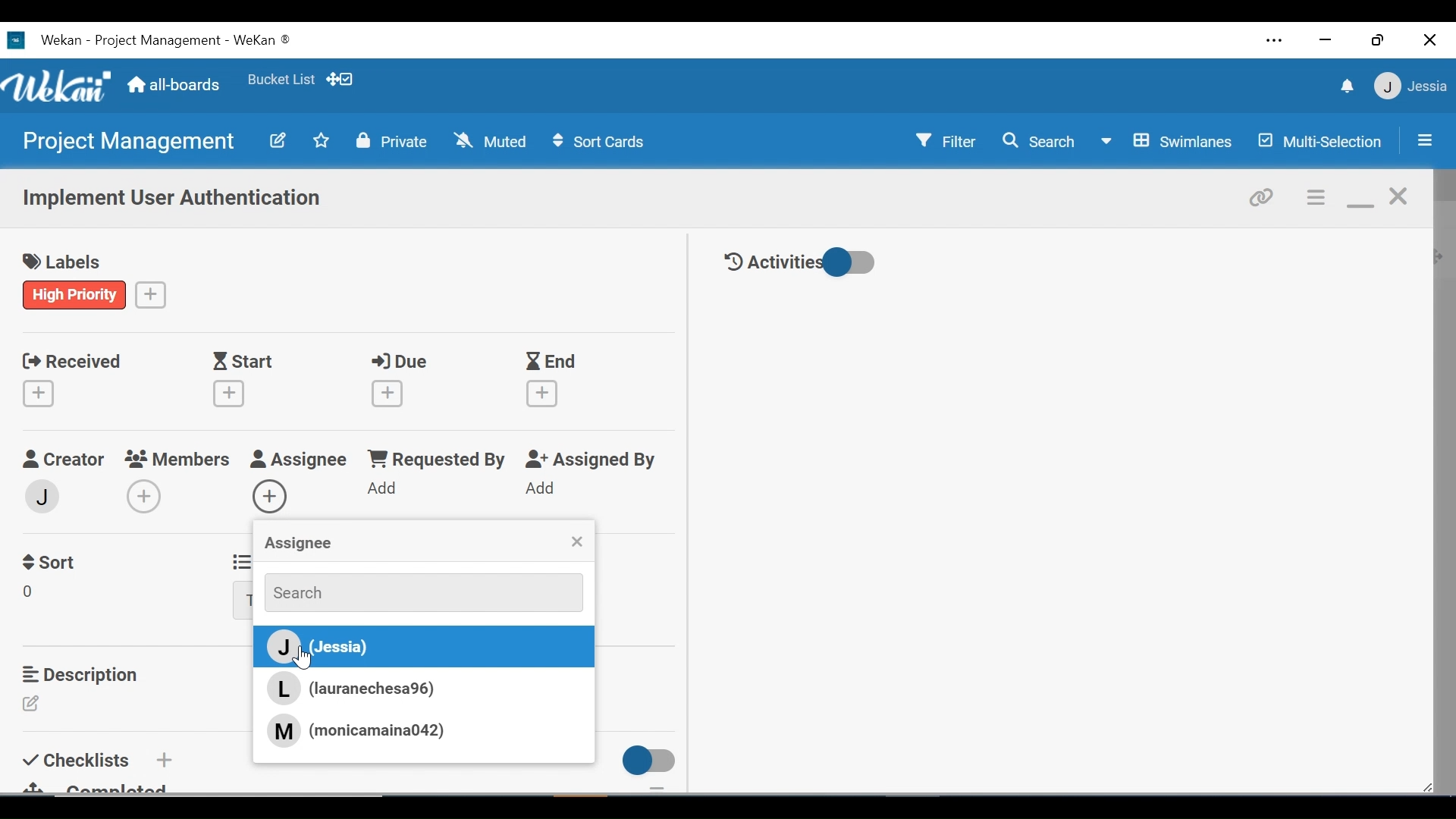 The height and width of the screenshot is (819, 1456). I want to click on create Due Date, so click(388, 394).